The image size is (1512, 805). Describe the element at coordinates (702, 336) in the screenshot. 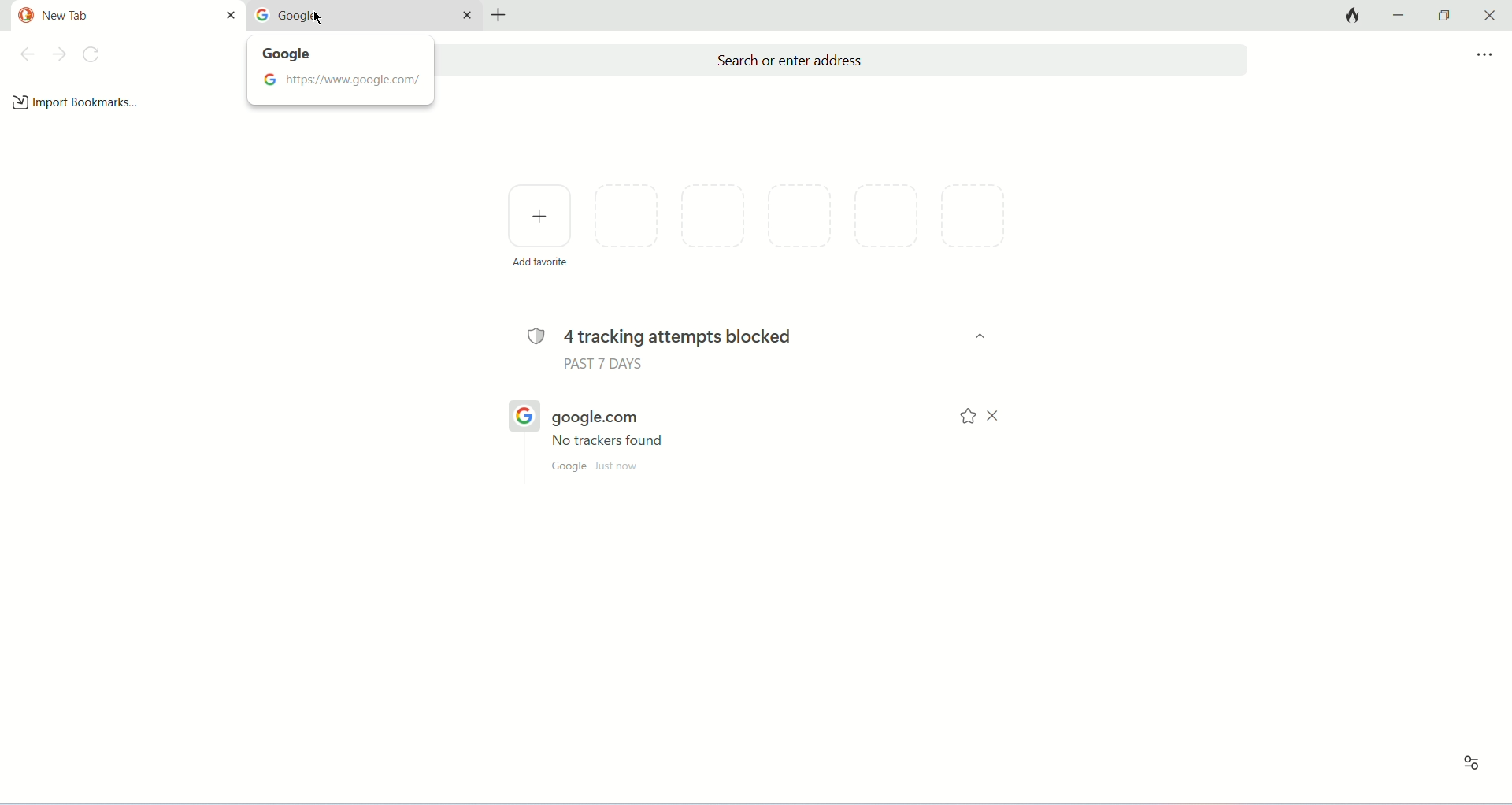

I see `4 tracking attempts blocked` at that location.